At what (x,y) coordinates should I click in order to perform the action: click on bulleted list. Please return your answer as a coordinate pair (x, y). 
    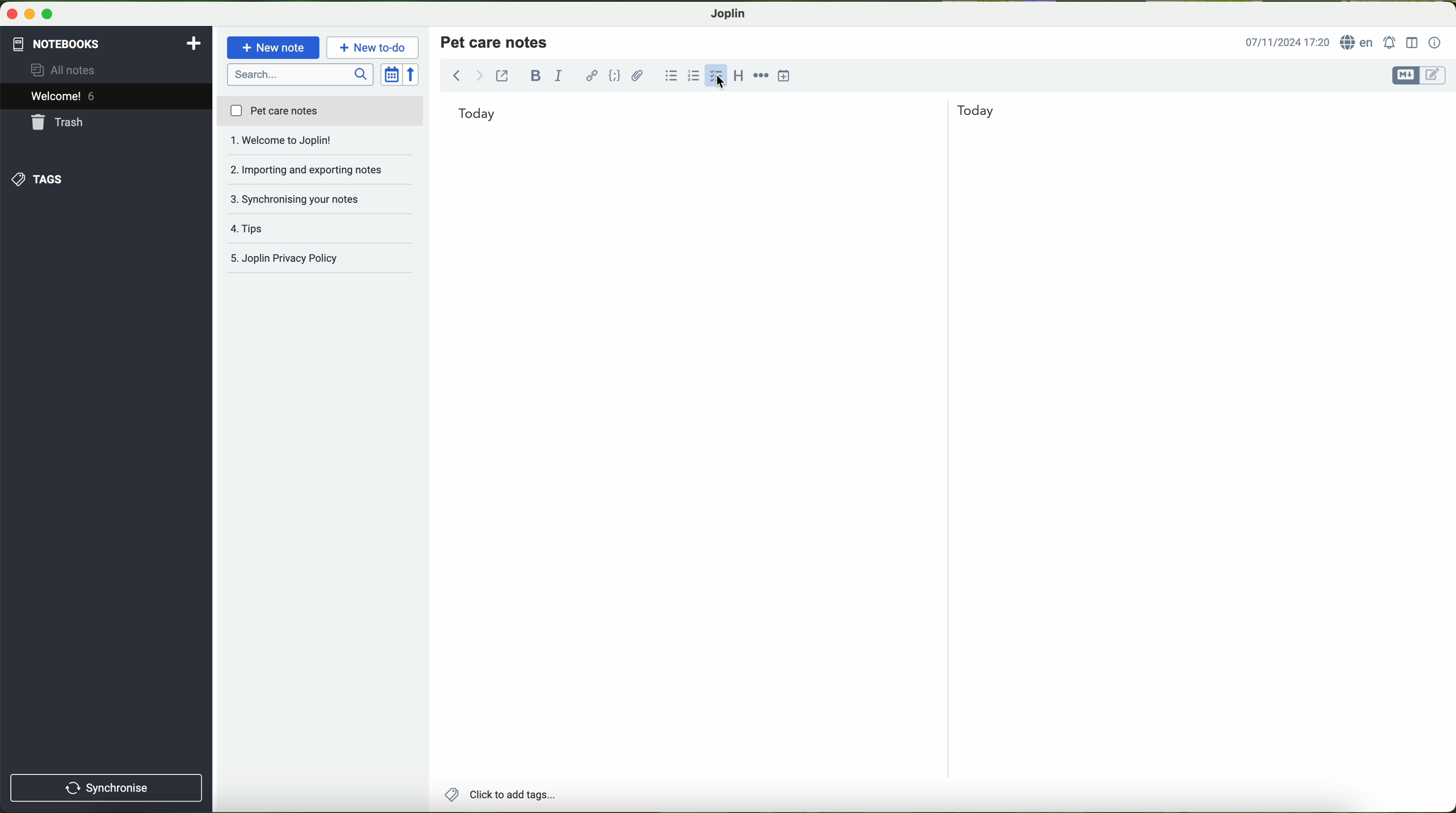
    Looking at the image, I should click on (669, 76).